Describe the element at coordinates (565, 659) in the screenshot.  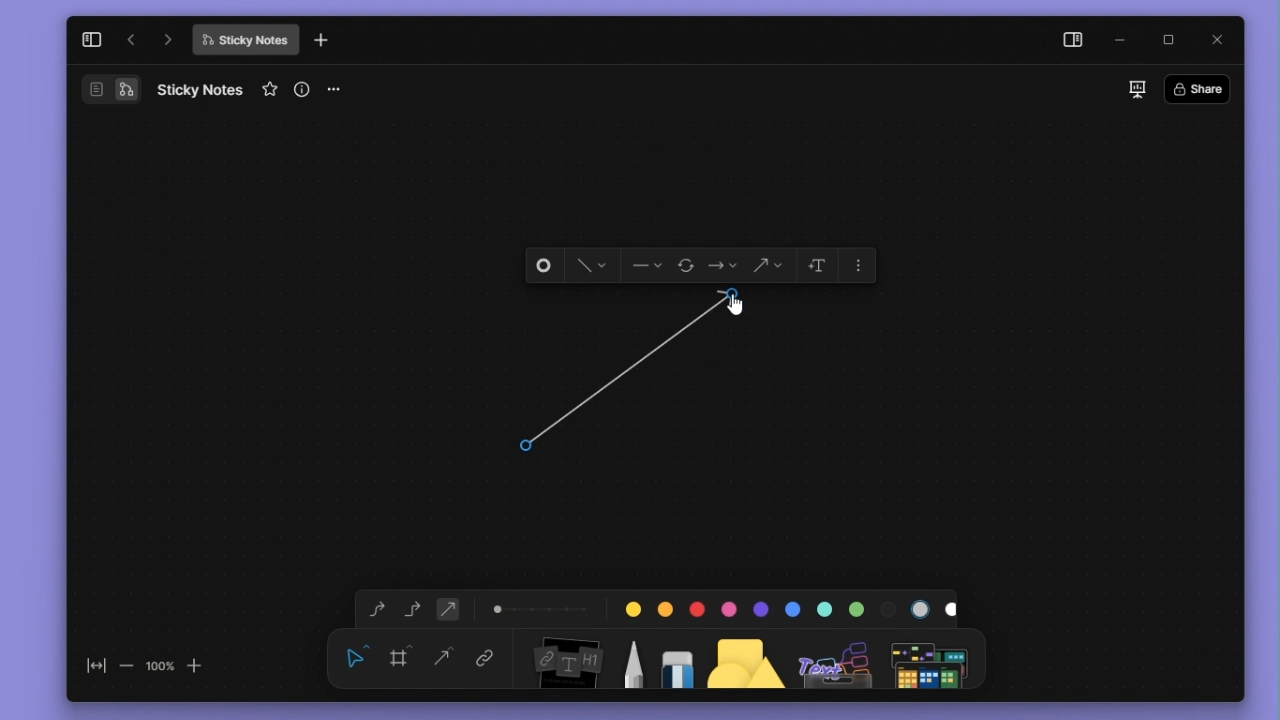
I see `note` at that location.